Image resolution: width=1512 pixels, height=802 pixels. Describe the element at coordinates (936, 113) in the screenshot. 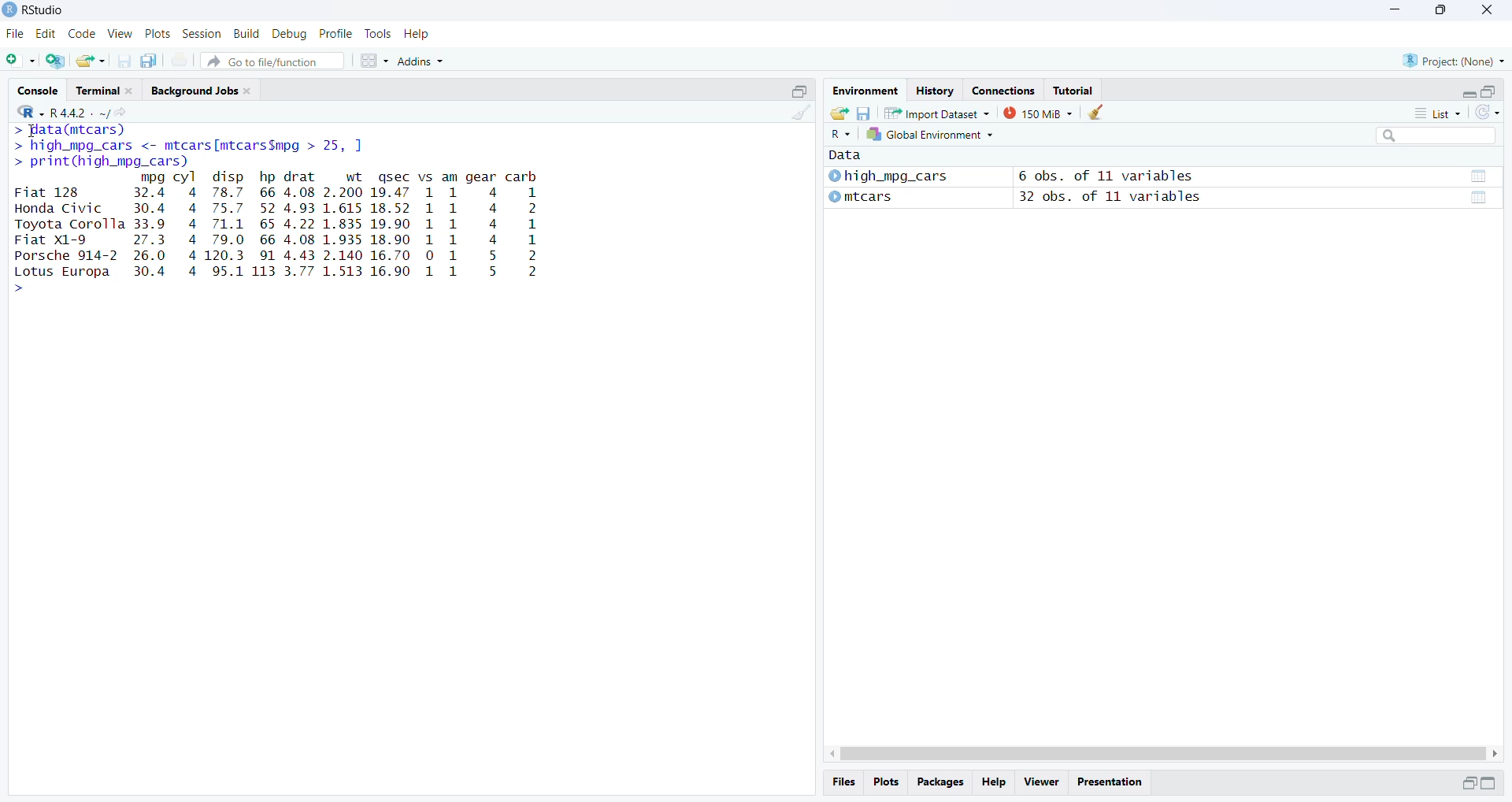

I see `Import Dataset` at that location.